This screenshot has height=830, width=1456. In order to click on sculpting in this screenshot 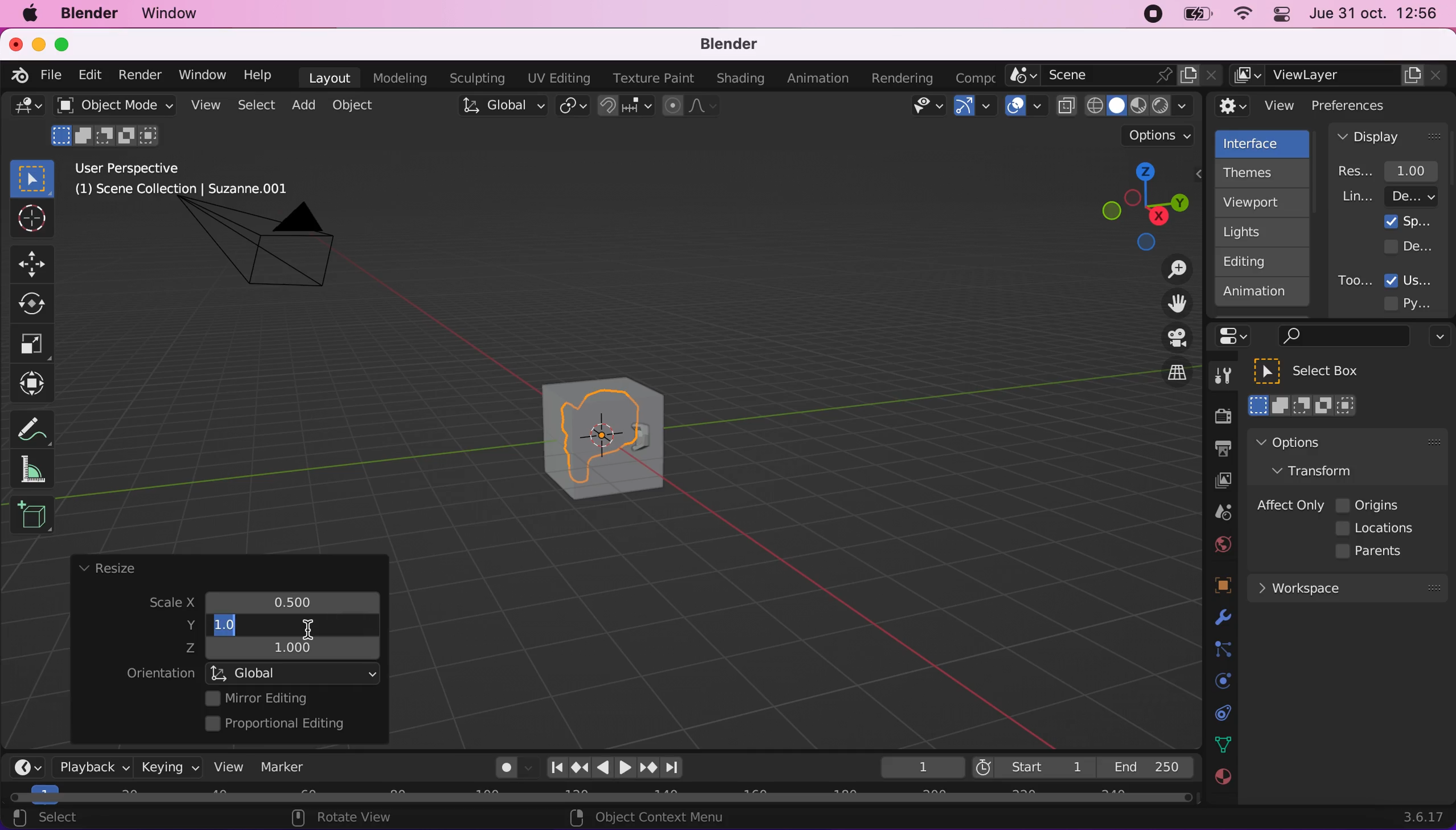, I will do `click(474, 78)`.